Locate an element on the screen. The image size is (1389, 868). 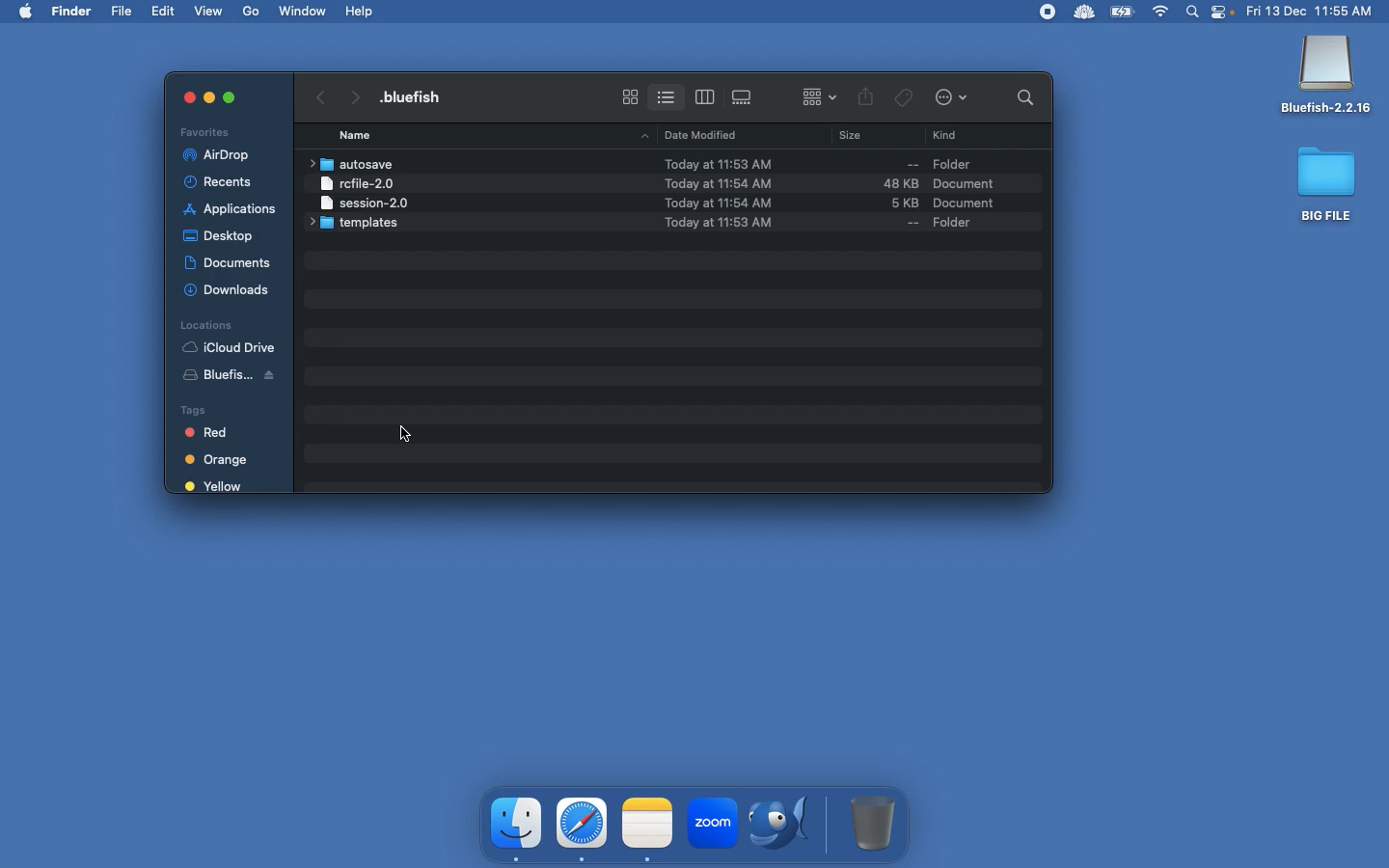
search is located at coordinates (1021, 96).